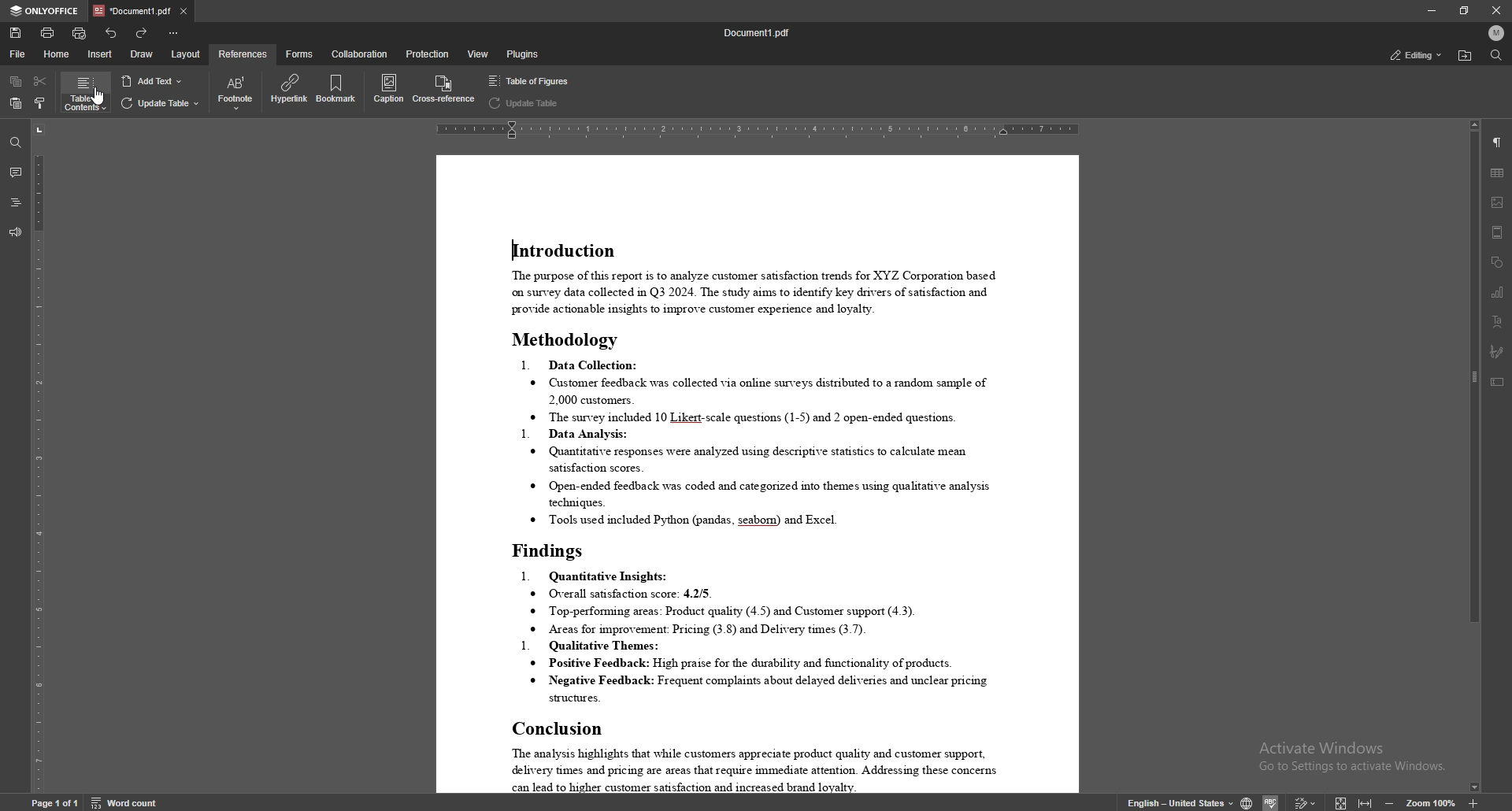 Image resolution: width=1512 pixels, height=811 pixels. What do you see at coordinates (1303, 803) in the screenshot?
I see `` at bounding box center [1303, 803].